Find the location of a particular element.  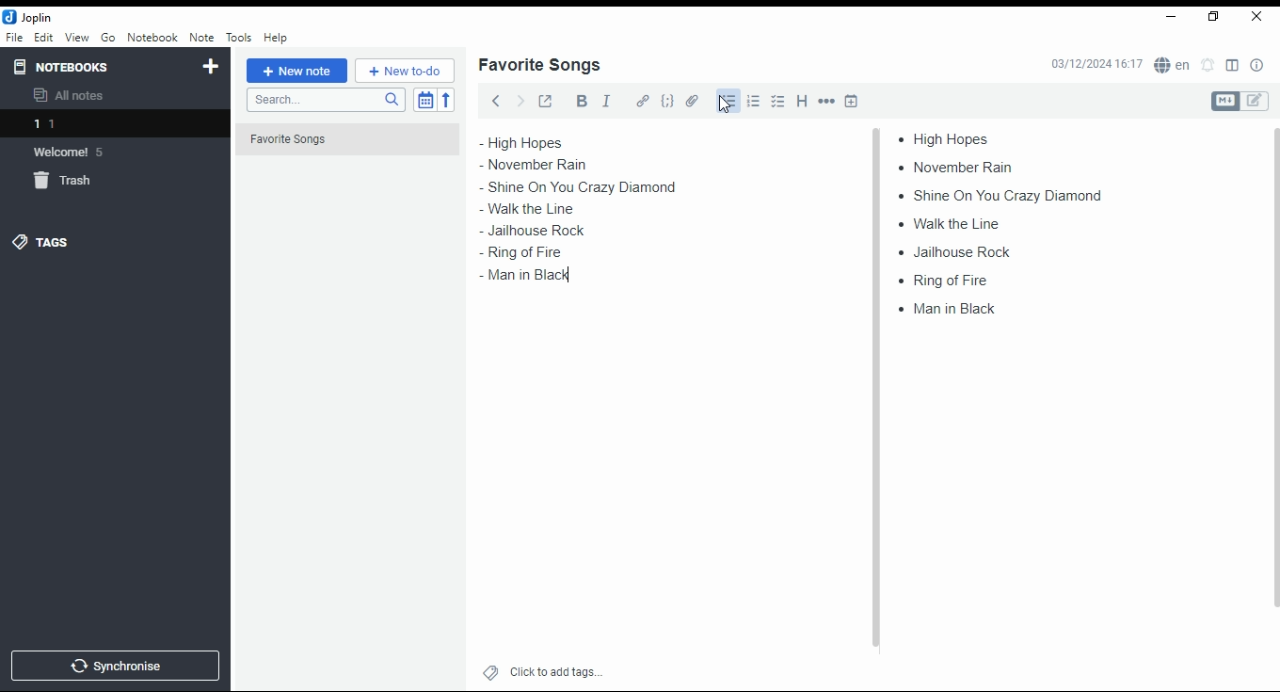

attach file is located at coordinates (693, 100).